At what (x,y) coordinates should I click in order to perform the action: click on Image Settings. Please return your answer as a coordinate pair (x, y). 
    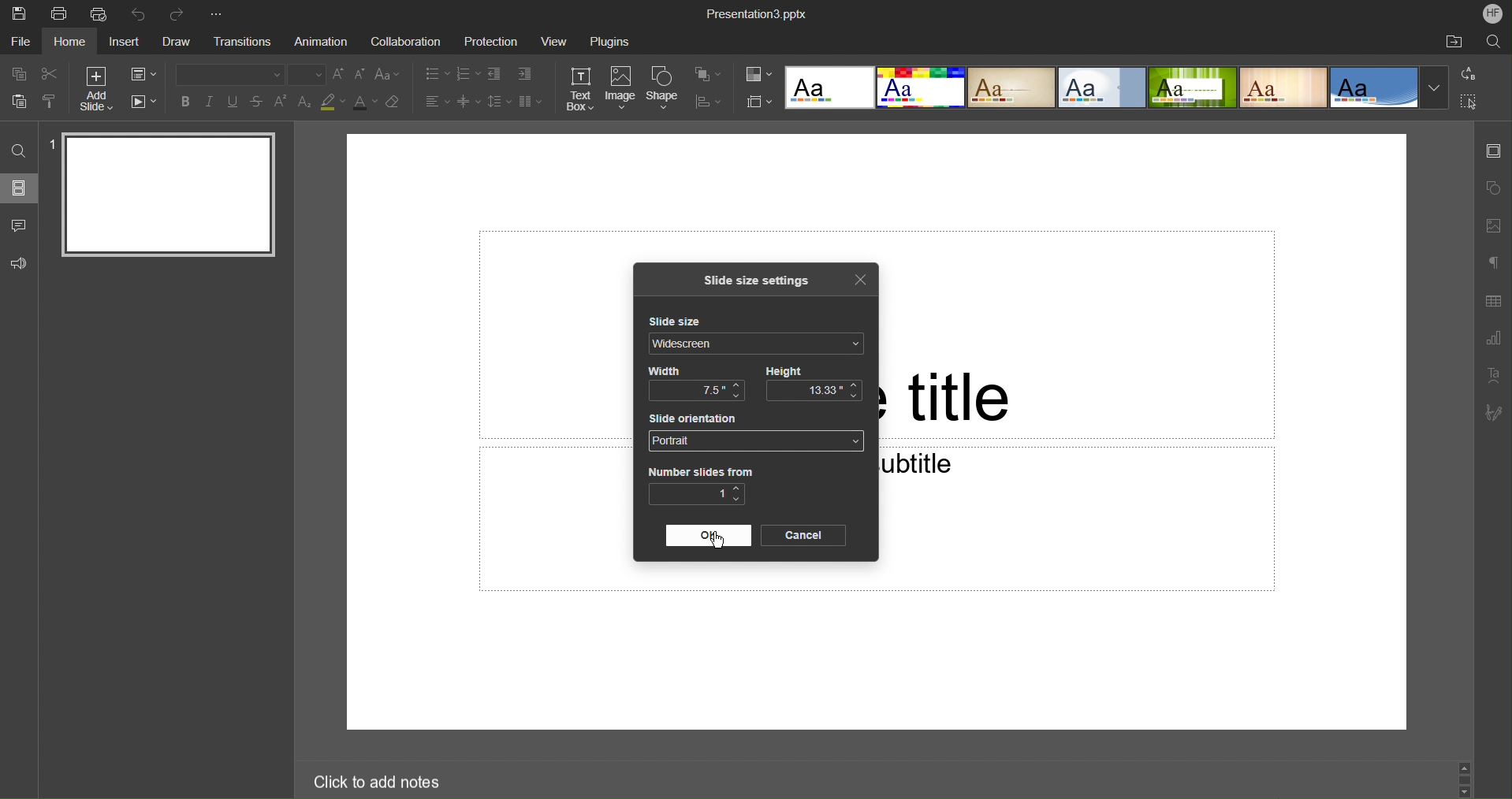
    Looking at the image, I should click on (1494, 224).